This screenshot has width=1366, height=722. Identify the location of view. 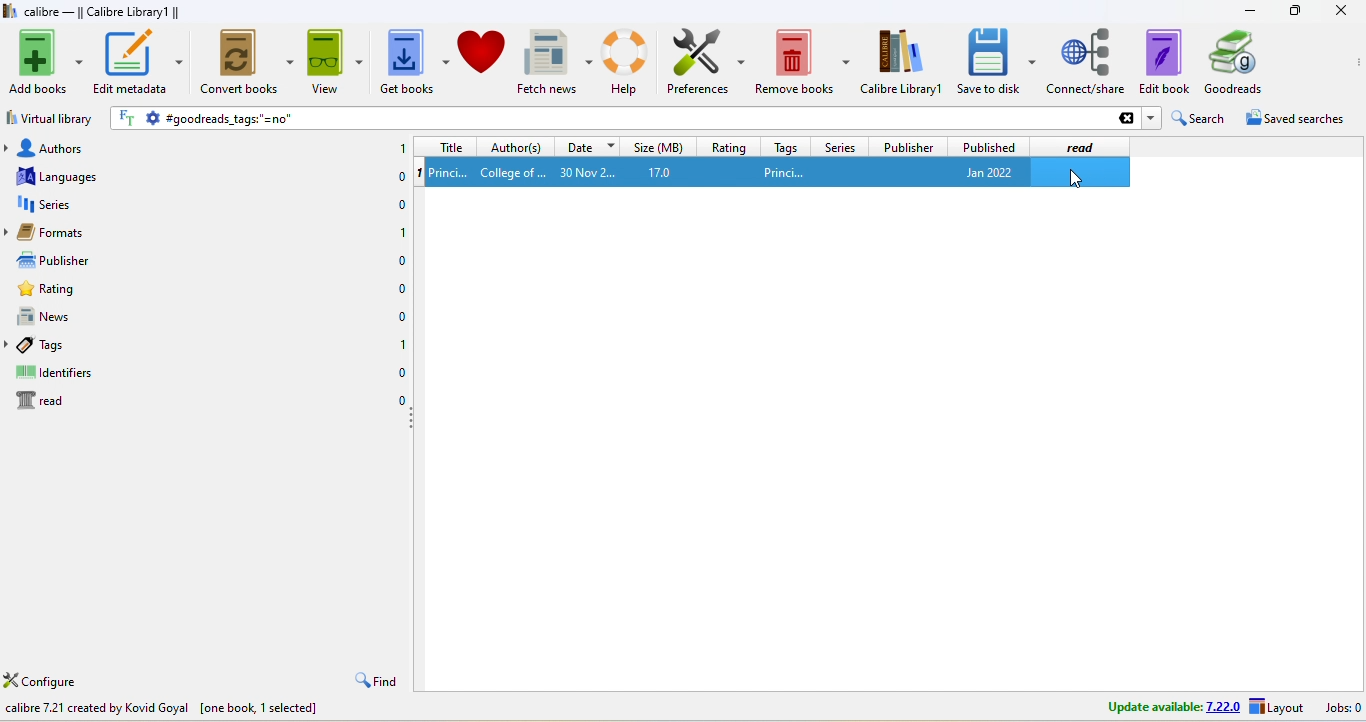
(335, 61).